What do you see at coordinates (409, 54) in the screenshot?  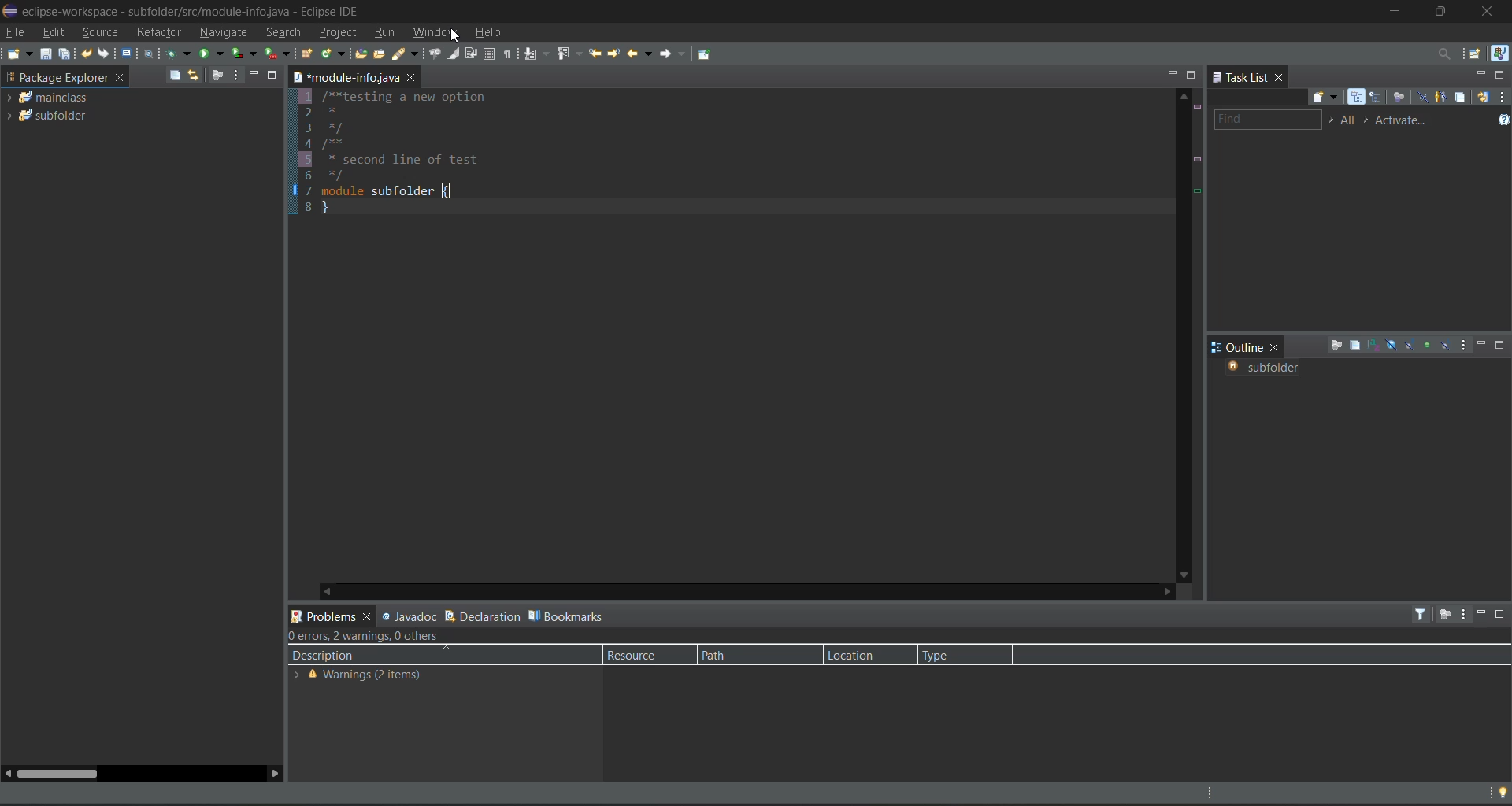 I see `search` at bounding box center [409, 54].